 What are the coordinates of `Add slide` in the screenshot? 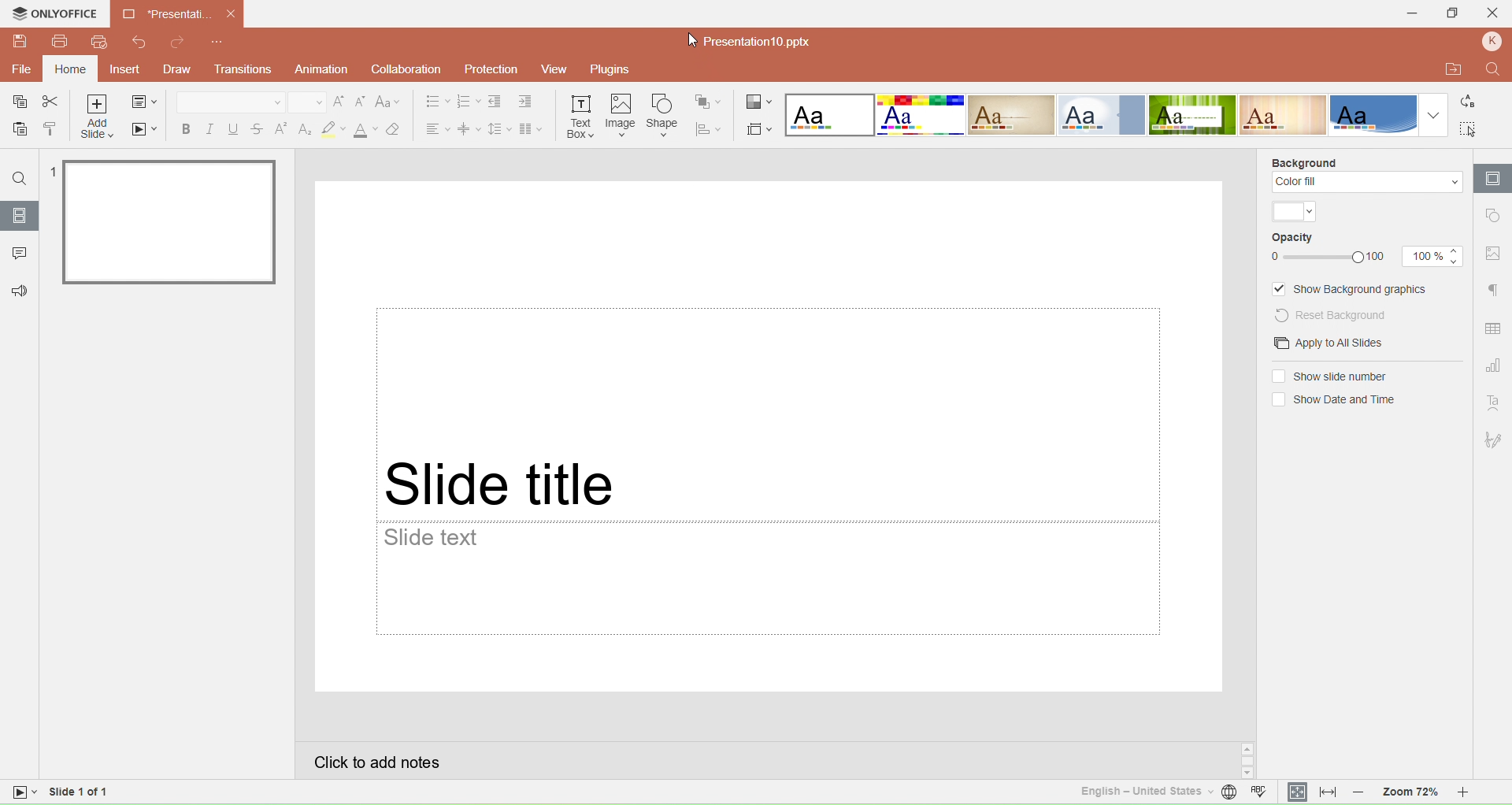 It's located at (98, 118).